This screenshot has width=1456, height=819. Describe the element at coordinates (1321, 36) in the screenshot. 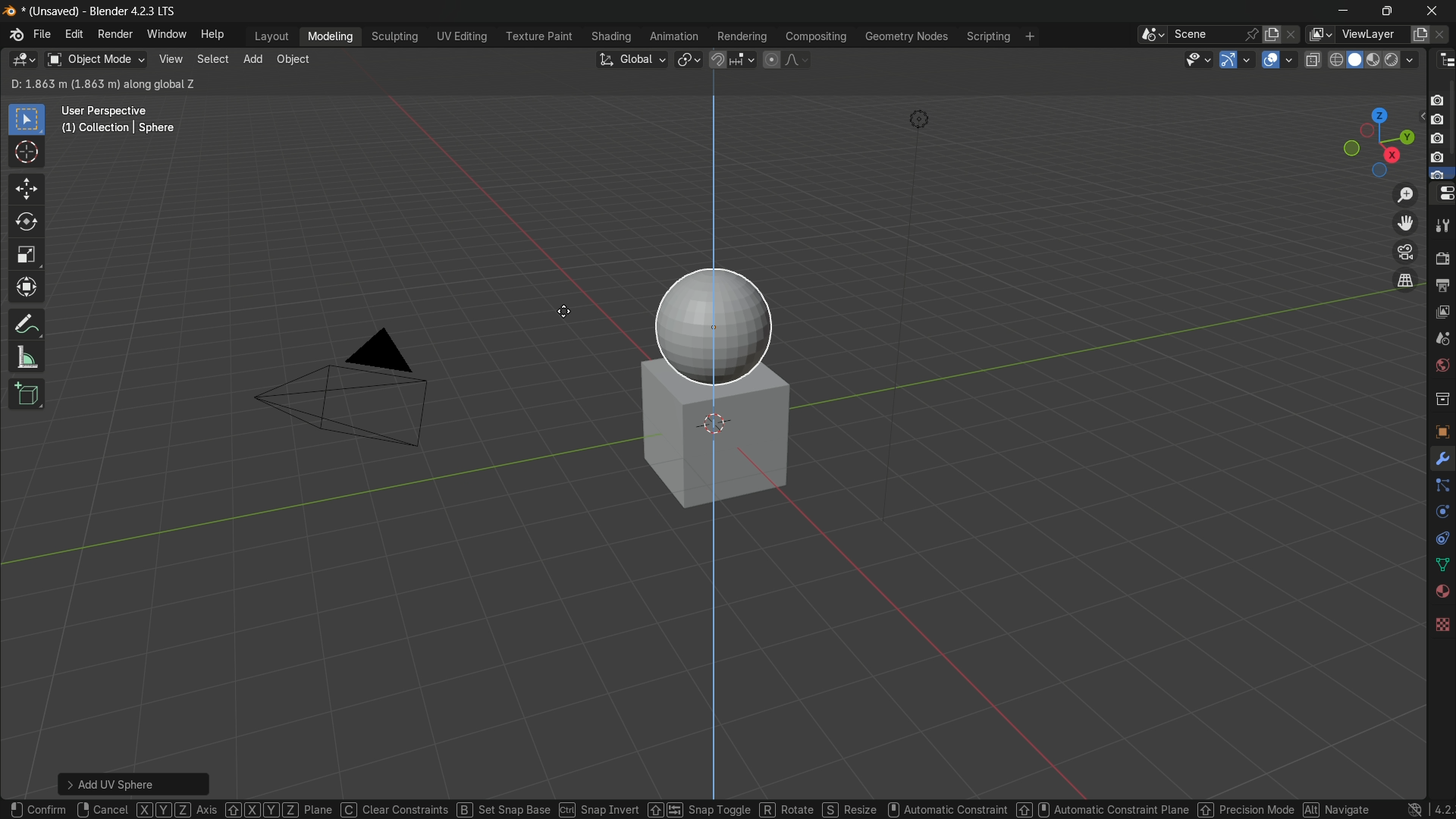

I see `browse views` at that location.